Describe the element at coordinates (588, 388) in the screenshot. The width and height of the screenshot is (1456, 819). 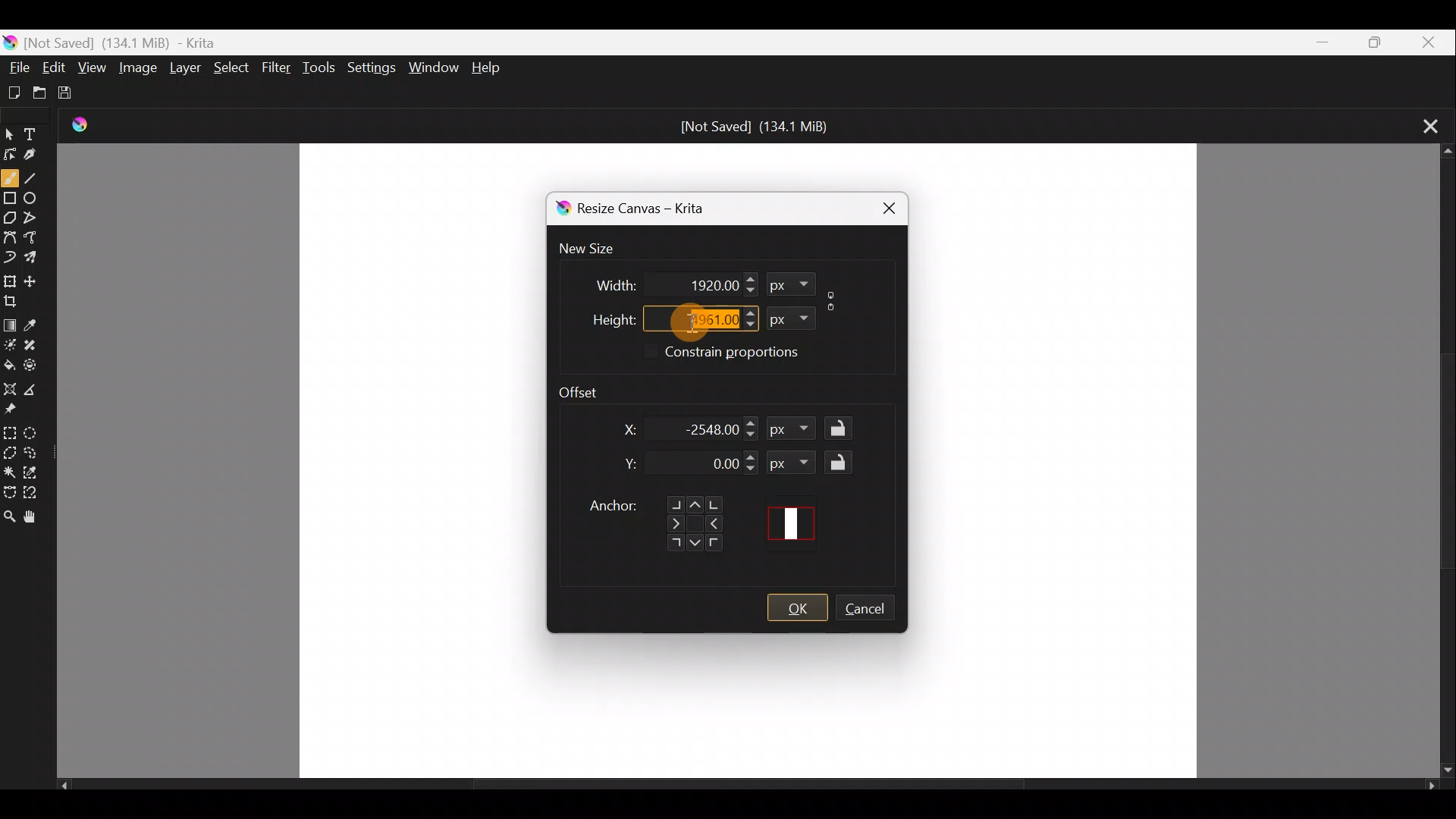
I see `Offset` at that location.